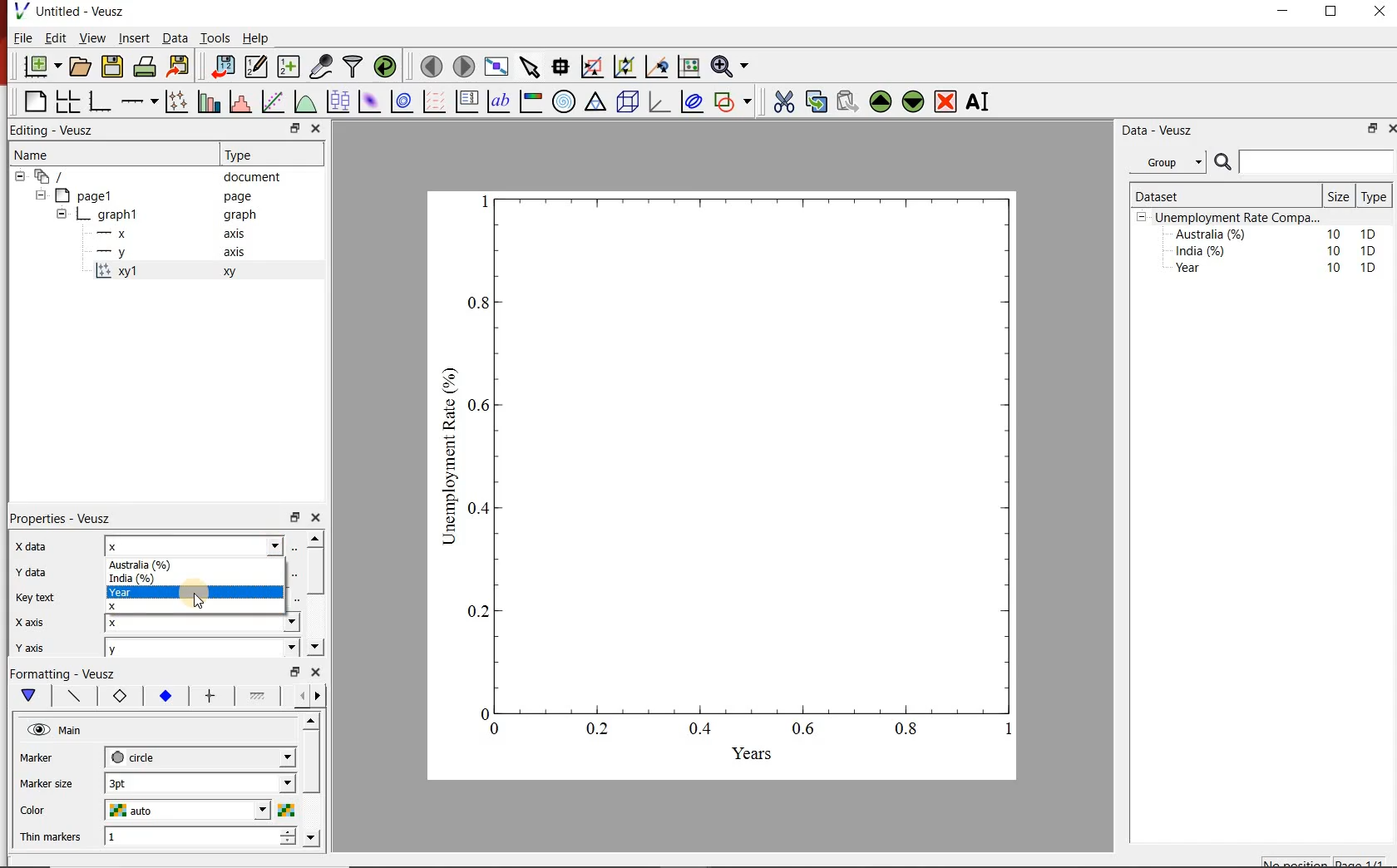 This screenshot has width=1397, height=868. Describe the element at coordinates (1281, 269) in the screenshot. I see `Year 10 1D` at that location.